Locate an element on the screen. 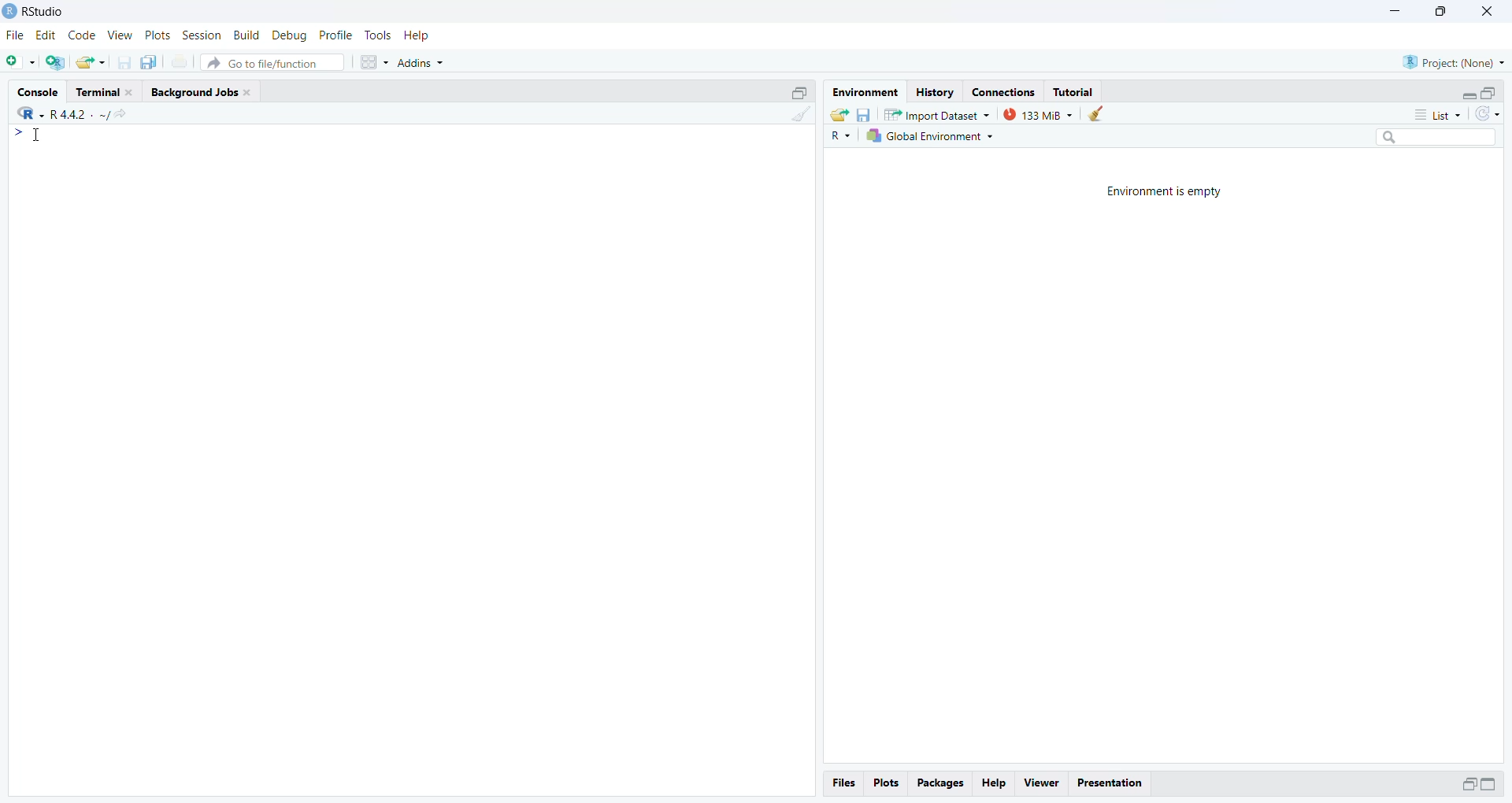  Maximize is located at coordinates (1467, 785).